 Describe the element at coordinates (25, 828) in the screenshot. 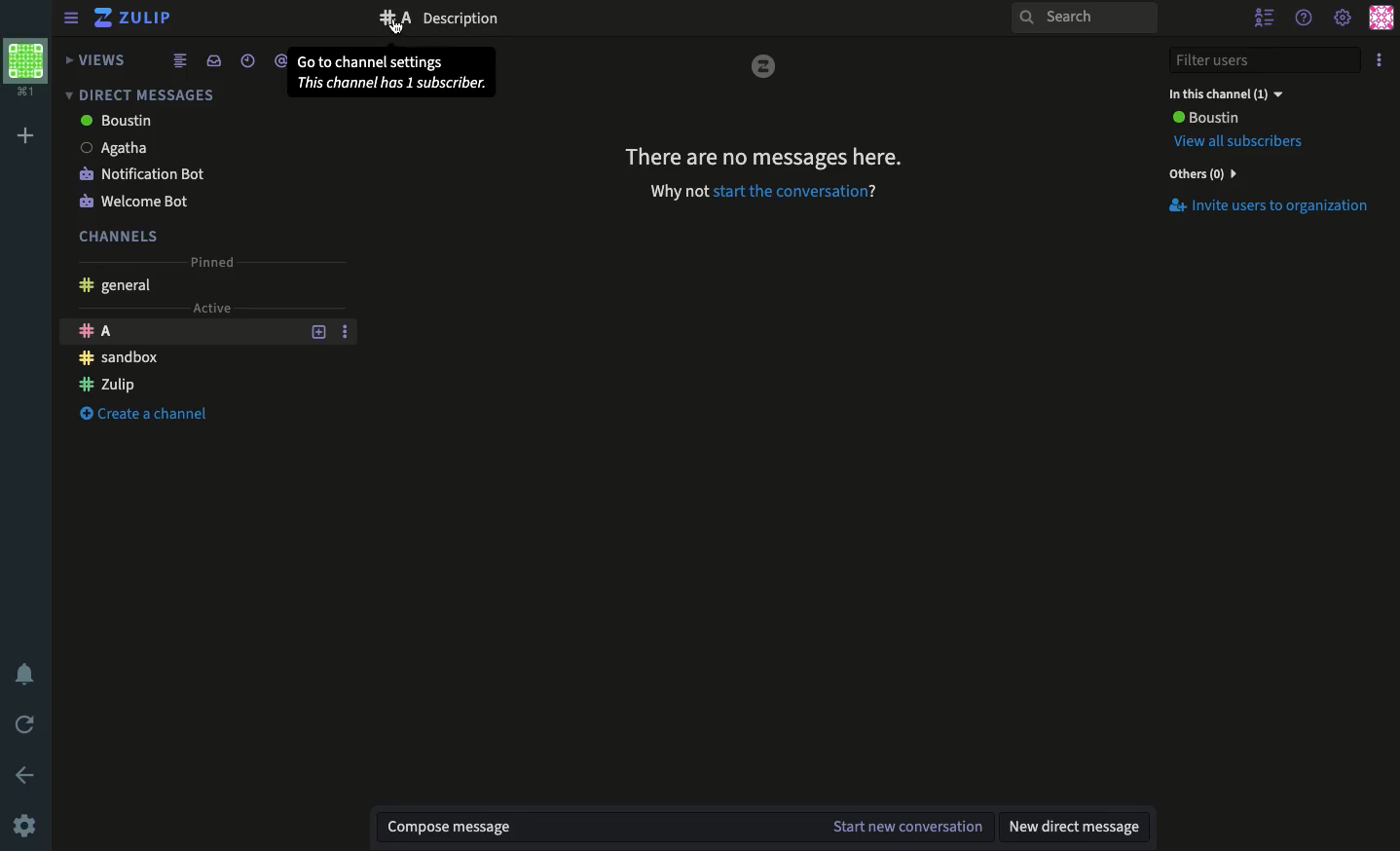

I see `Settings` at that location.